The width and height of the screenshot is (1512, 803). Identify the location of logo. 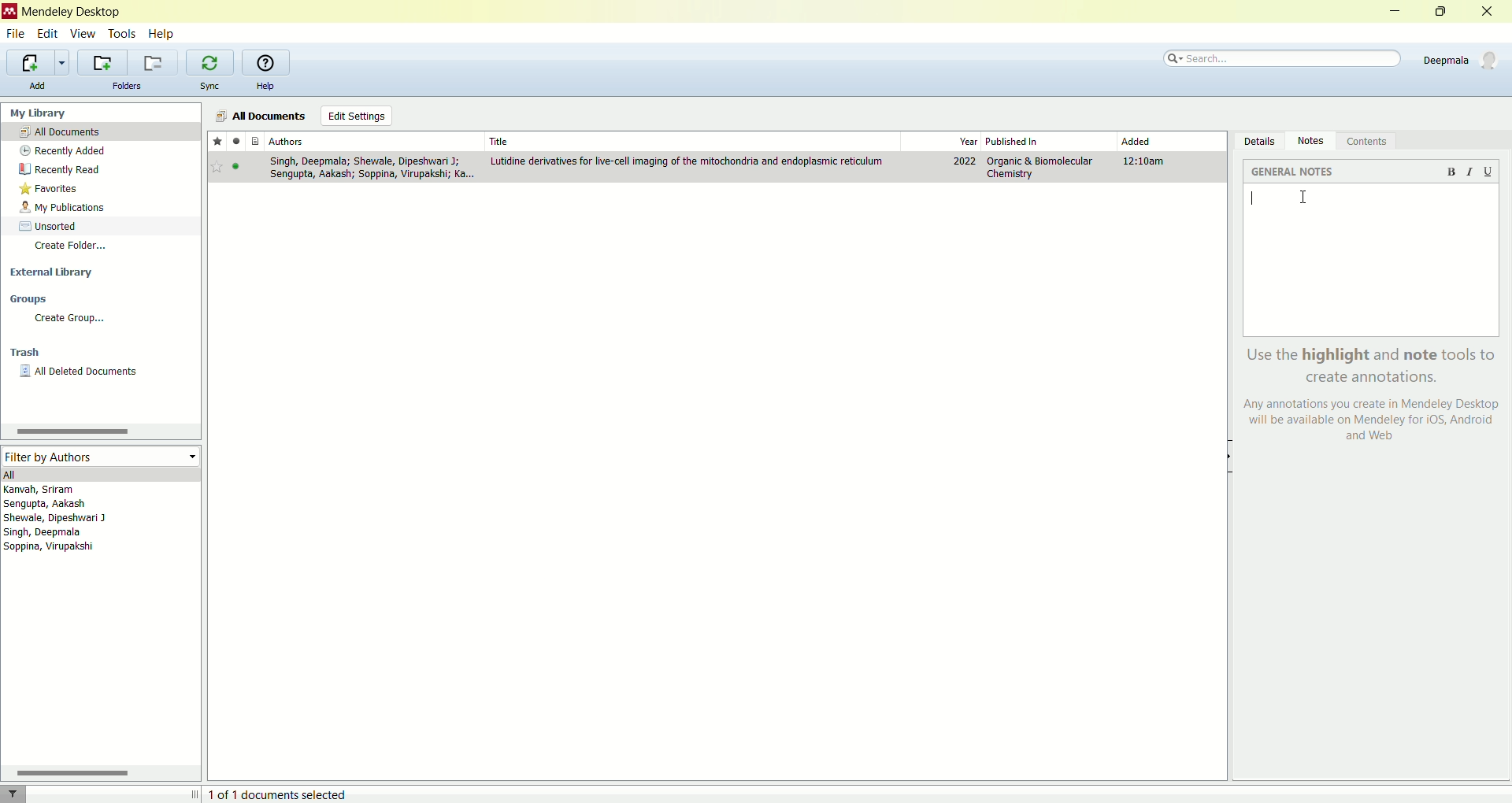
(9, 12).